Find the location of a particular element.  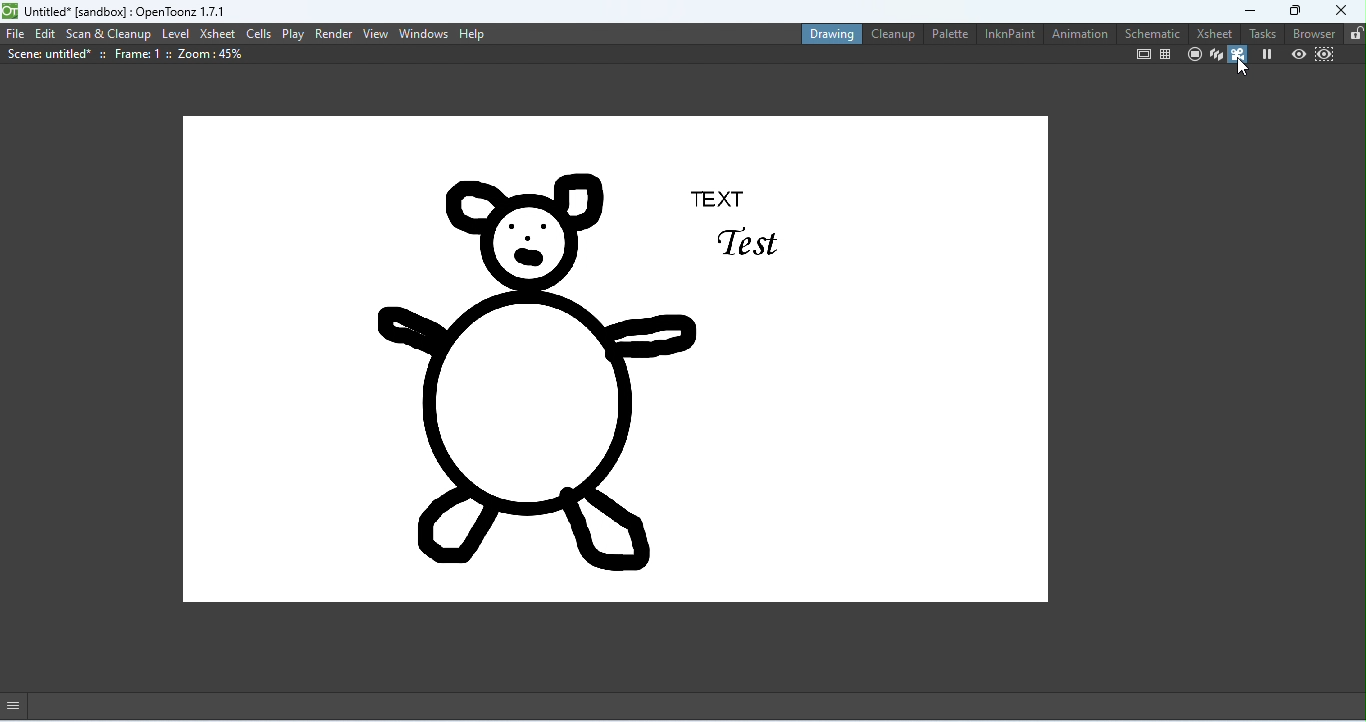

edit is located at coordinates (46, 35).